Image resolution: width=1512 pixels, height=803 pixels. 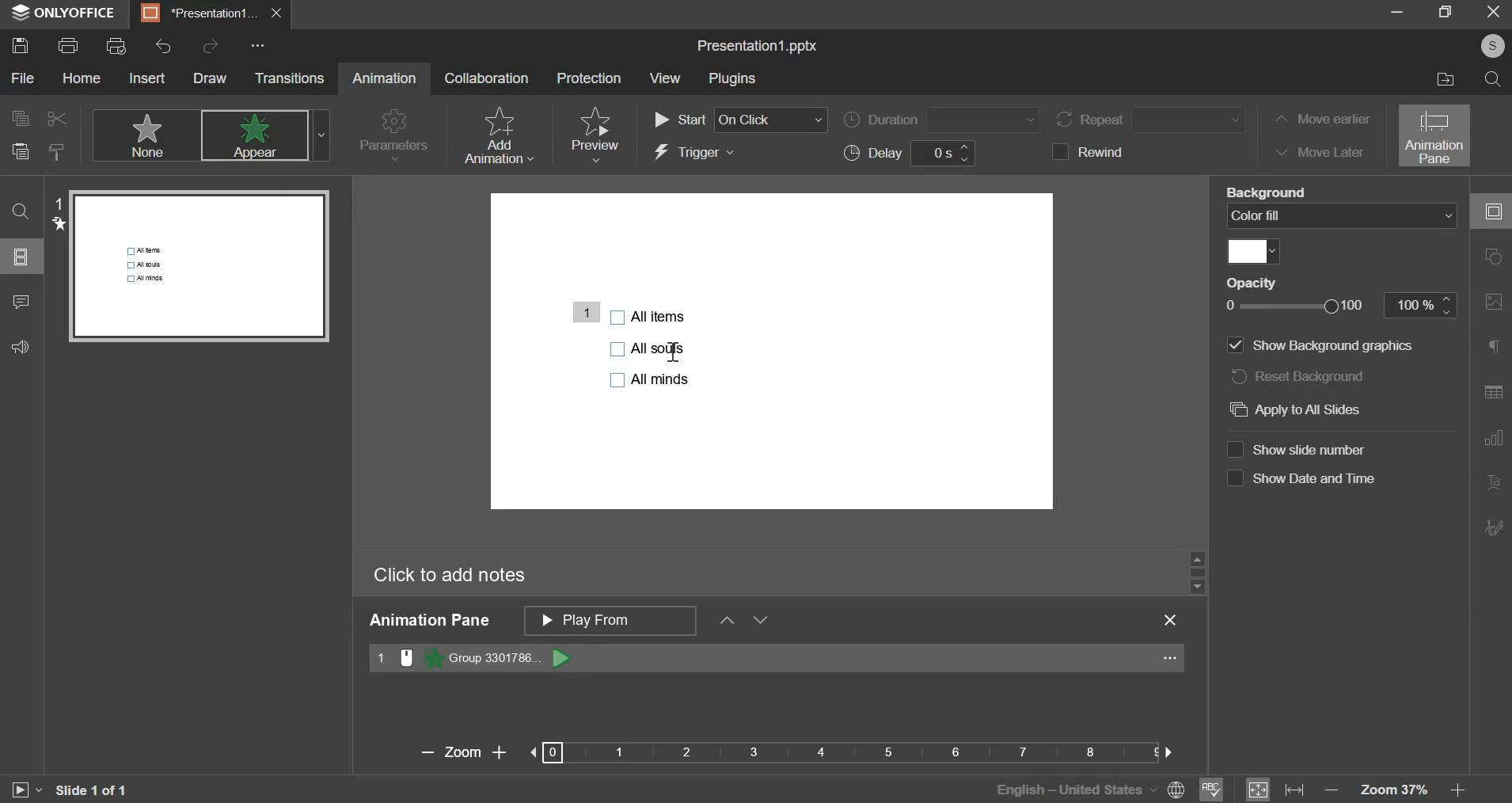 What do you see at coordinates (20, 304) in the screenshot?
I see `comment` at bounding box center [20, 304].